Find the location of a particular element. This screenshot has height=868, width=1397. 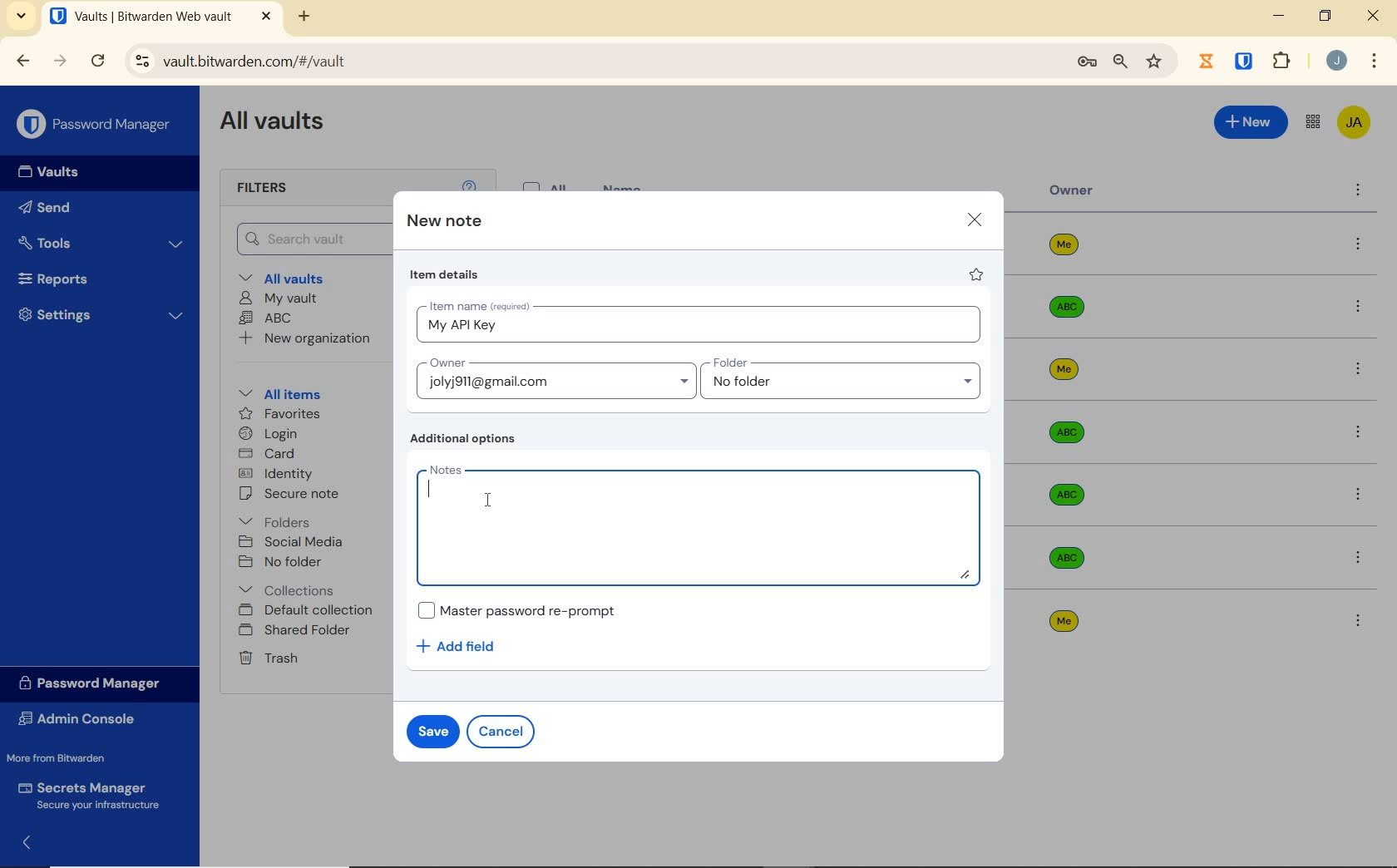

name is located at coordinates (624, 186).